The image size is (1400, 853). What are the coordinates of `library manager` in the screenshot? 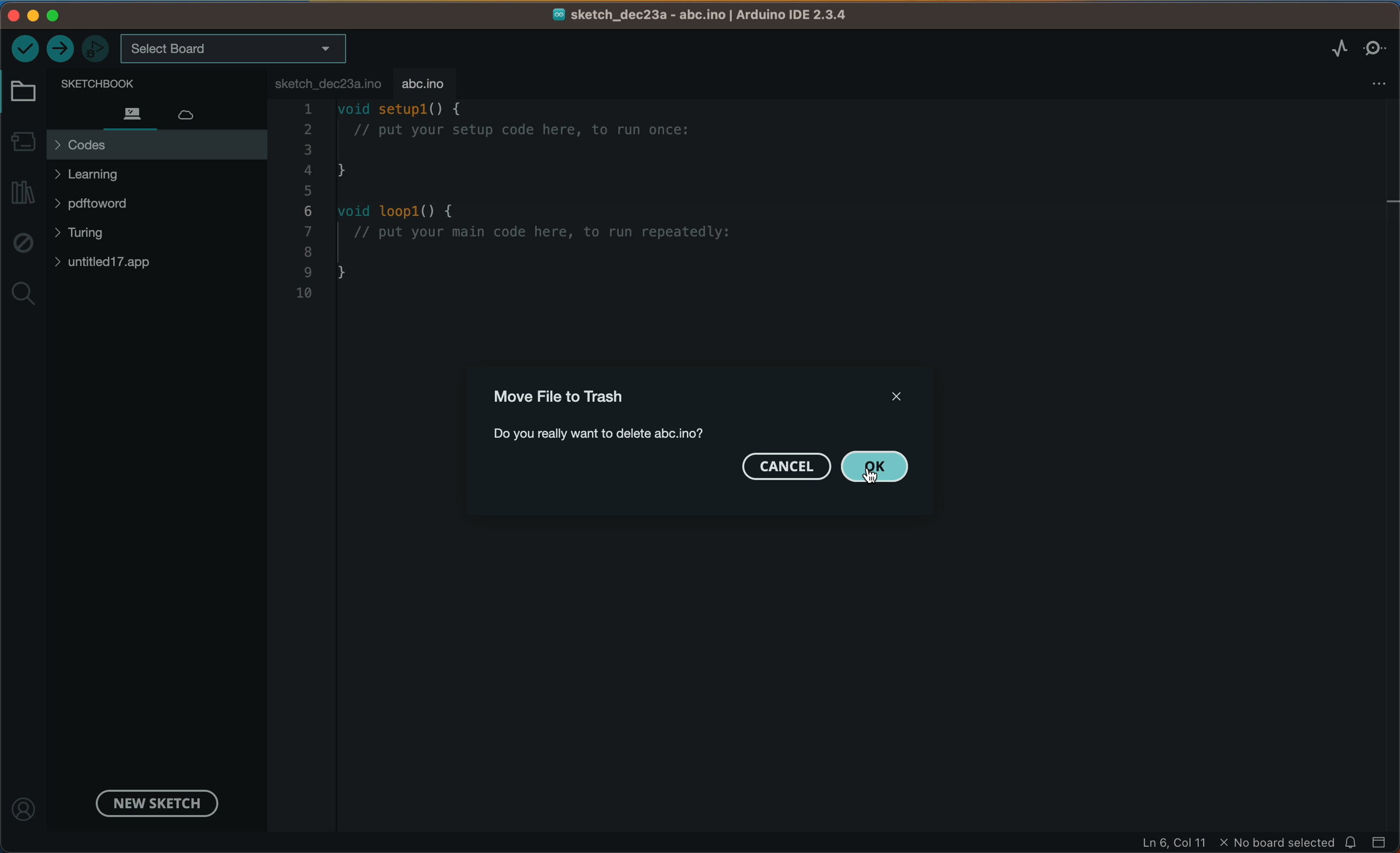 It's located at (22, 192).